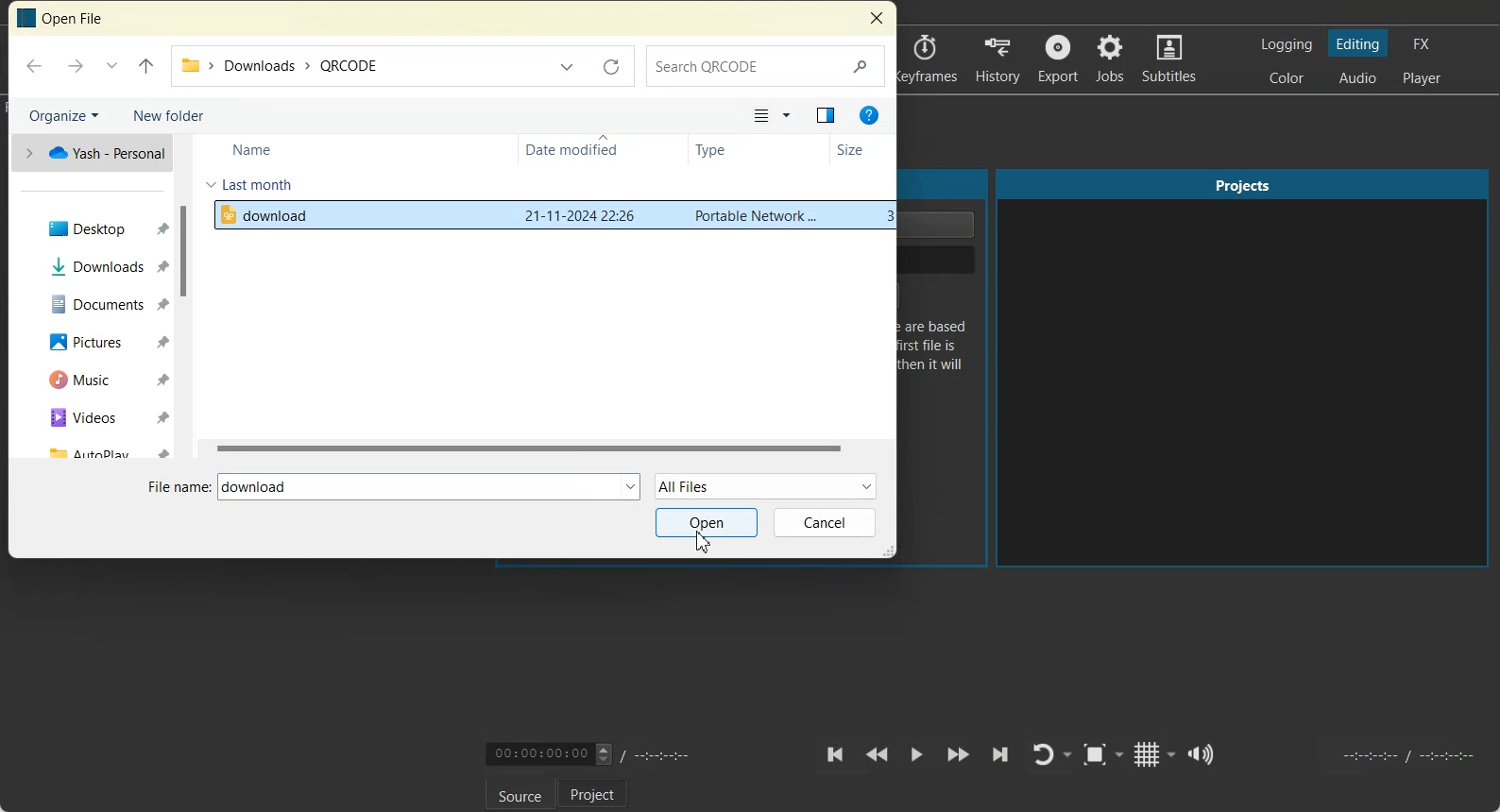  What do you see at coordinates (99, 416) in the screenshot?
I see `Video` at bounding box center [99, 416].